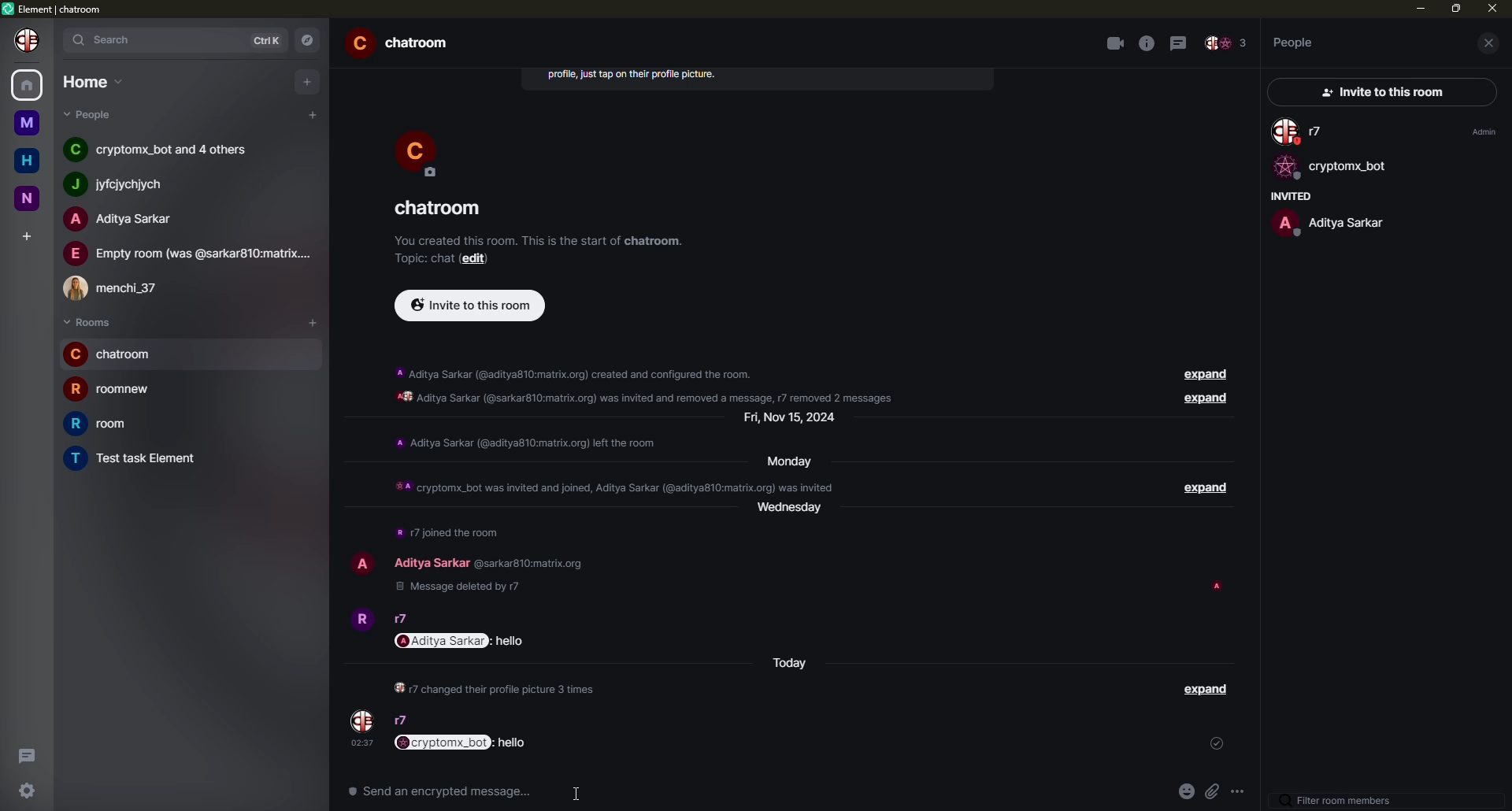 This screenshot has height=811, width=1512. What do you see at coordinates (24, 754) in the screenshot?
I see `threads` at bounding box center [24, 754].